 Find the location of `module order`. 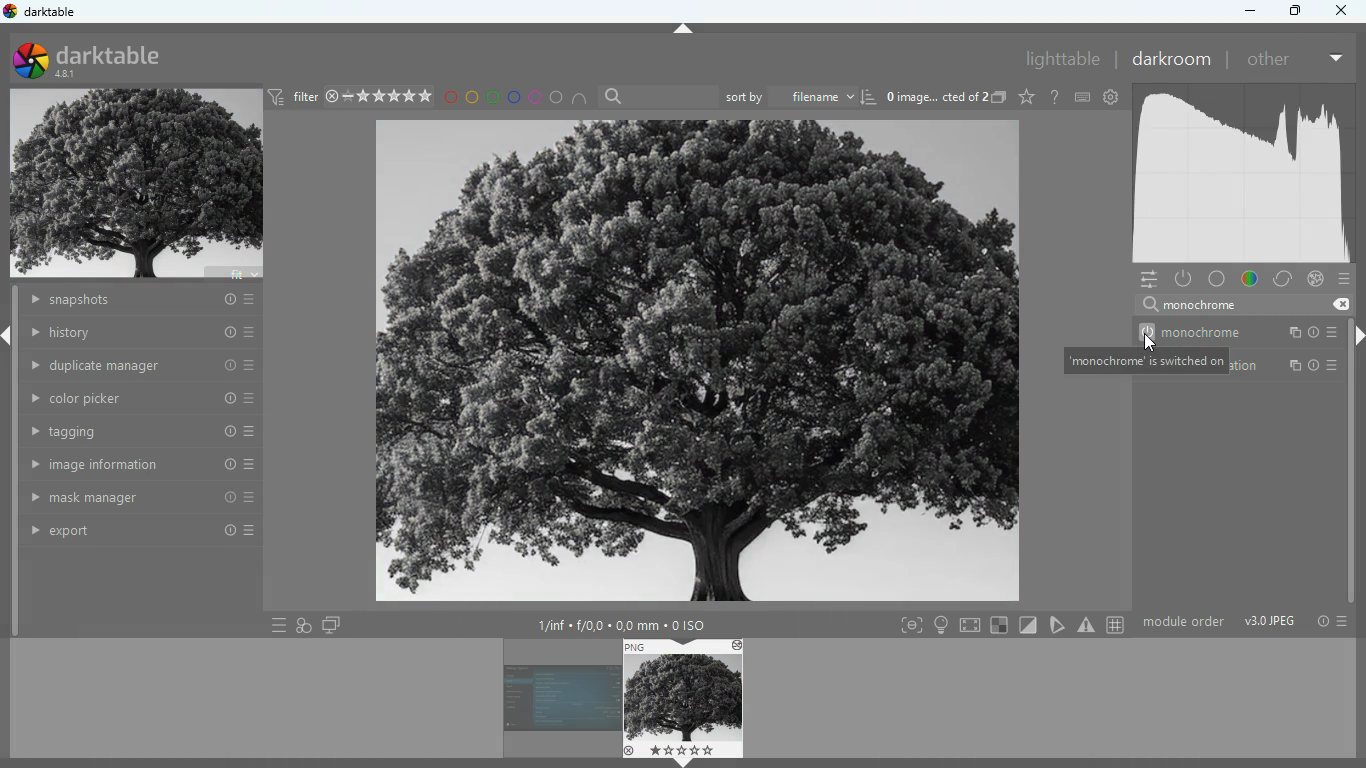

module order is located at coordinates (1184, 623).